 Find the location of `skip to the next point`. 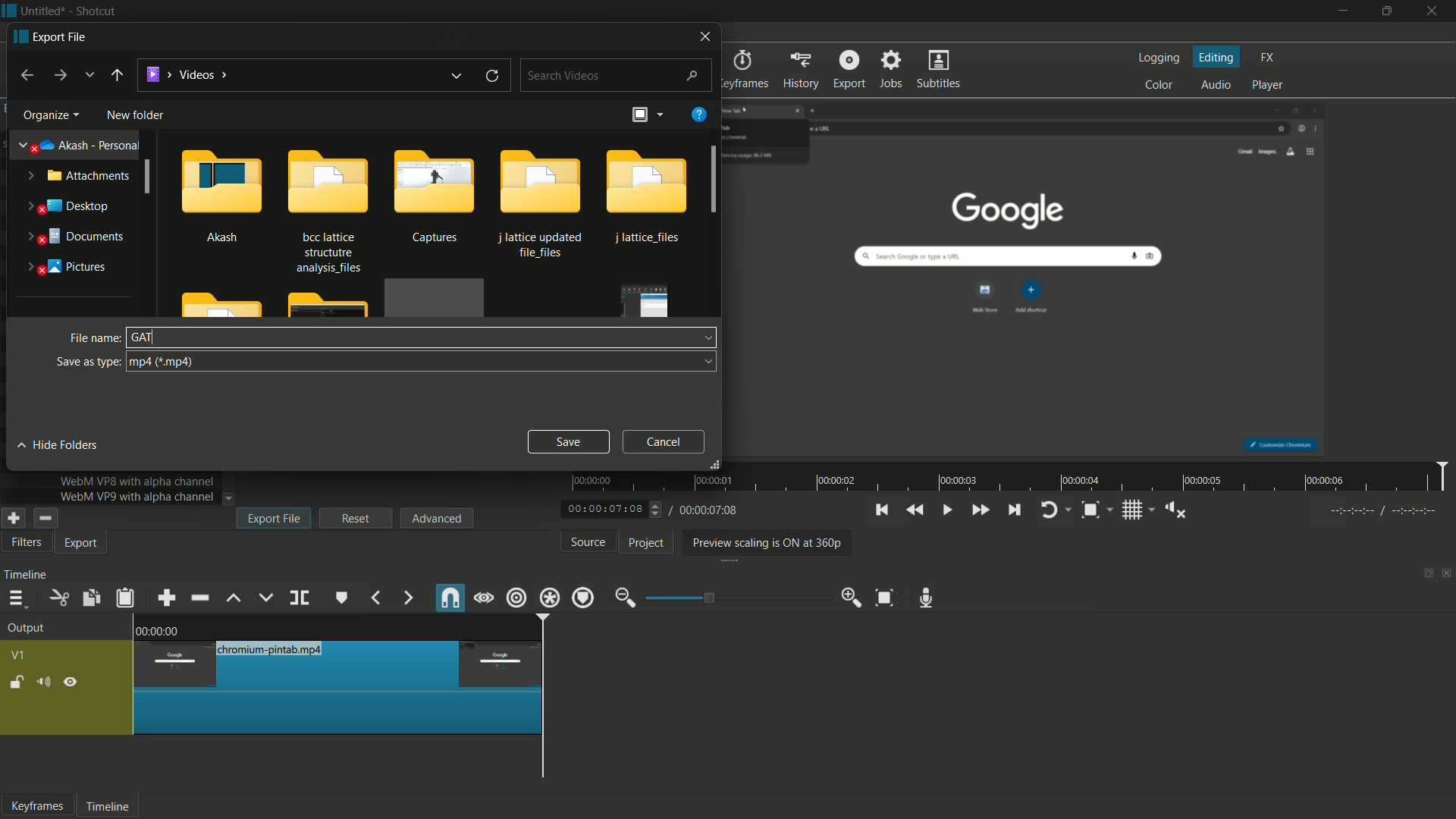

skip to the next point is located at coordinates (1012, 510).